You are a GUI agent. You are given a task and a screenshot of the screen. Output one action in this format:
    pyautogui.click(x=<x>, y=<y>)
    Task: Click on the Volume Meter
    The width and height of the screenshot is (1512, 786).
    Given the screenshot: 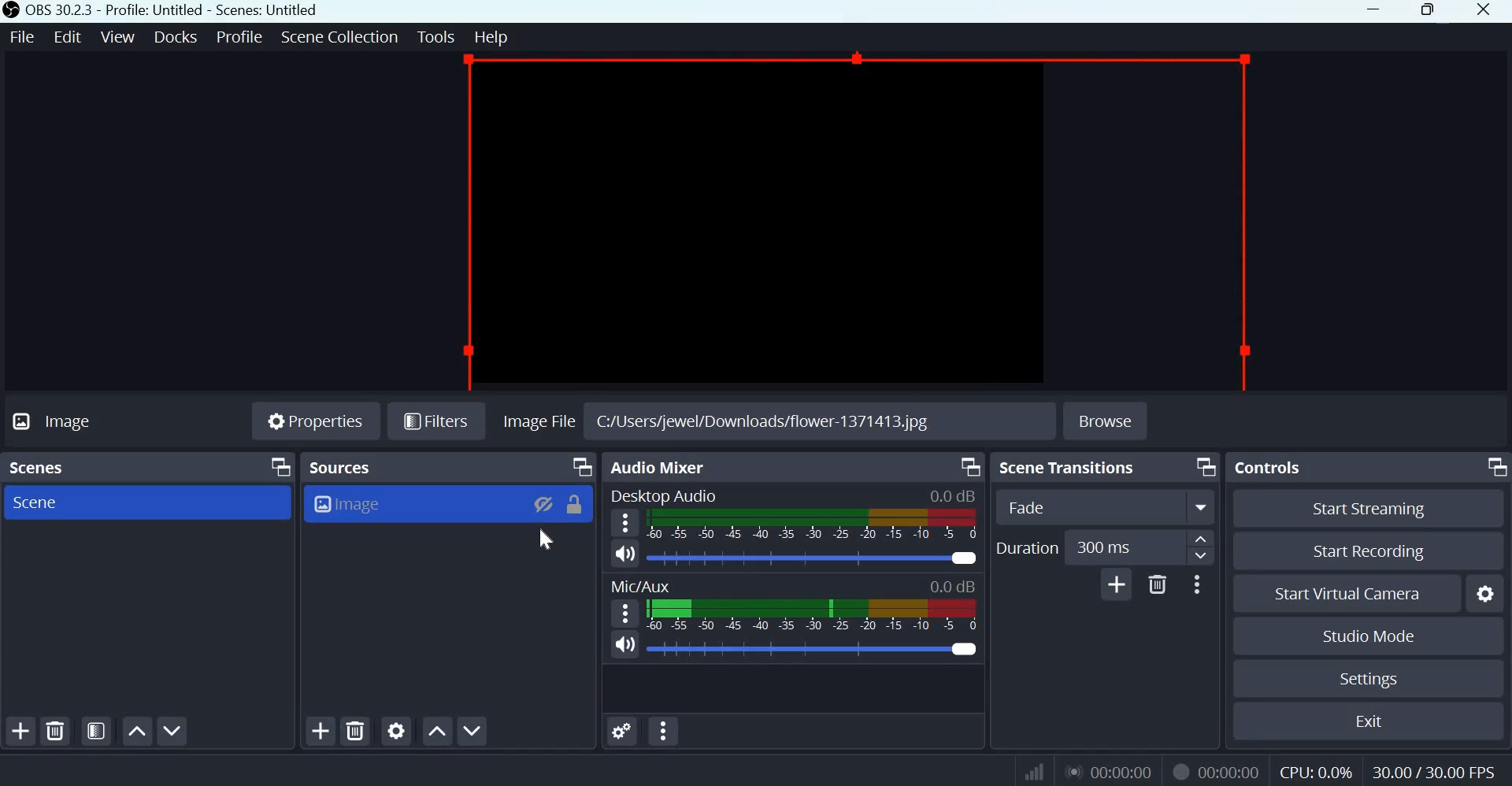 What is the action you would take?
    pyautogui.click(x=813, y=526)
    